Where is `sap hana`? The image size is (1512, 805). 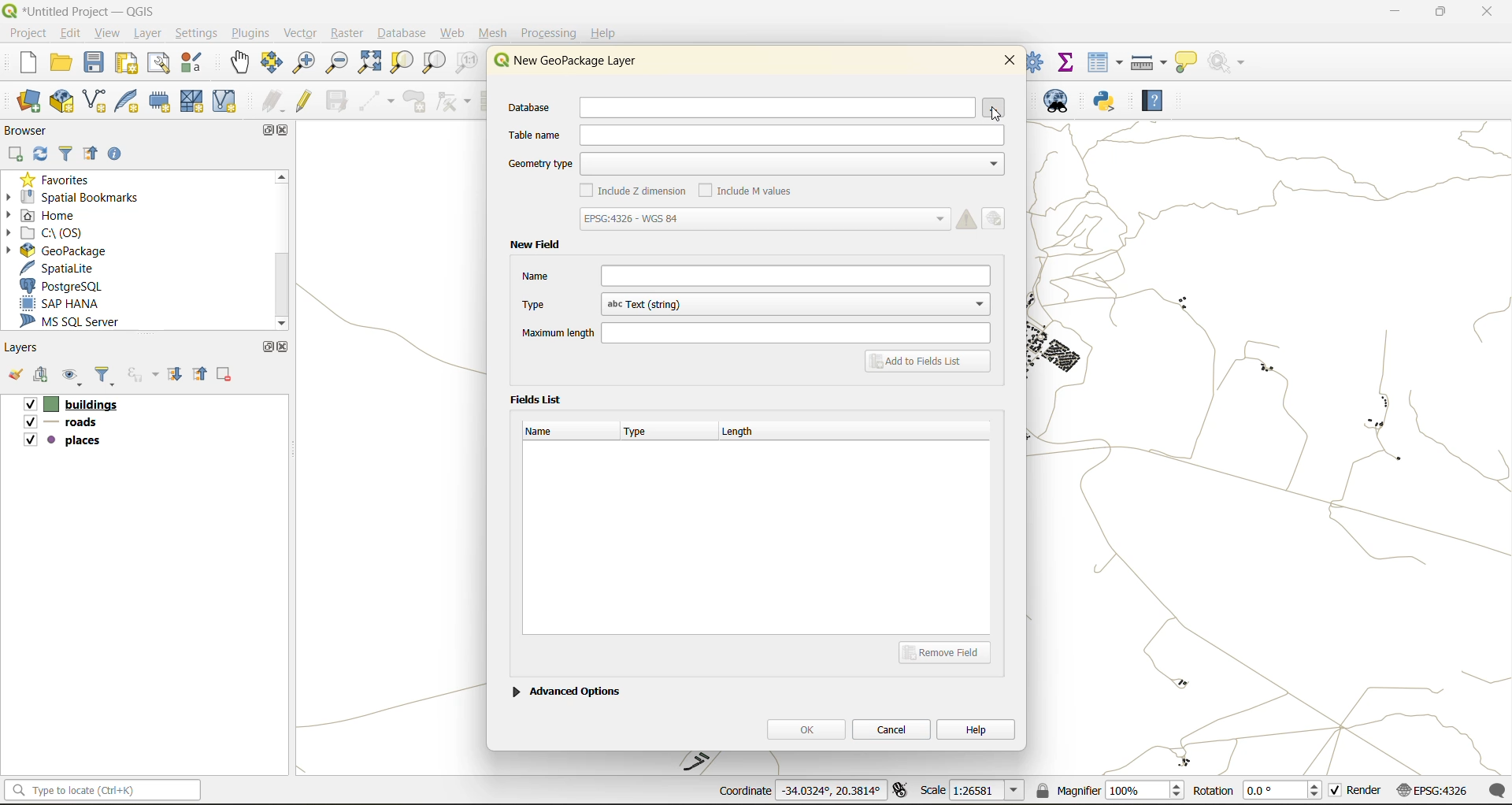 sap hana is located at coordinates (74, 304).